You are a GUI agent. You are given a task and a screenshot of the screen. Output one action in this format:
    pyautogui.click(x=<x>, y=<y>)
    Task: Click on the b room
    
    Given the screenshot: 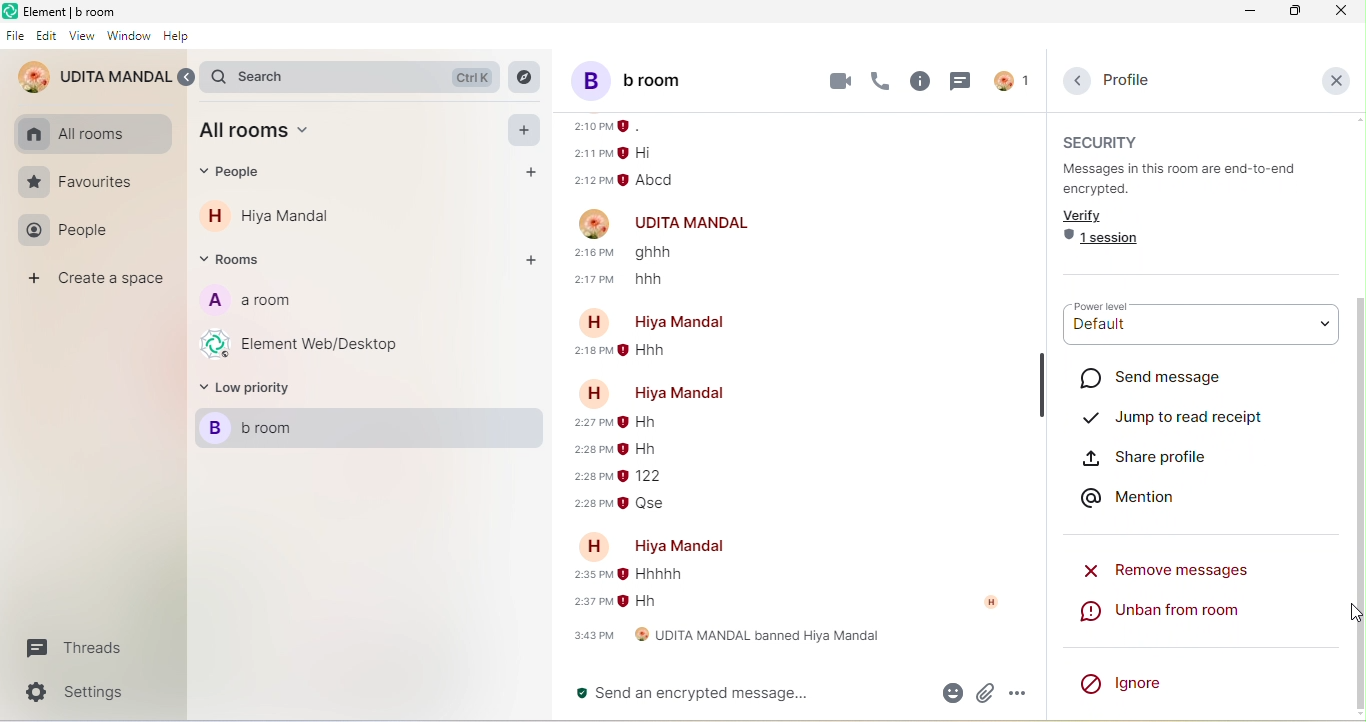 What is the action you would take?
    pyautogui.click(x=654, y=79)
    